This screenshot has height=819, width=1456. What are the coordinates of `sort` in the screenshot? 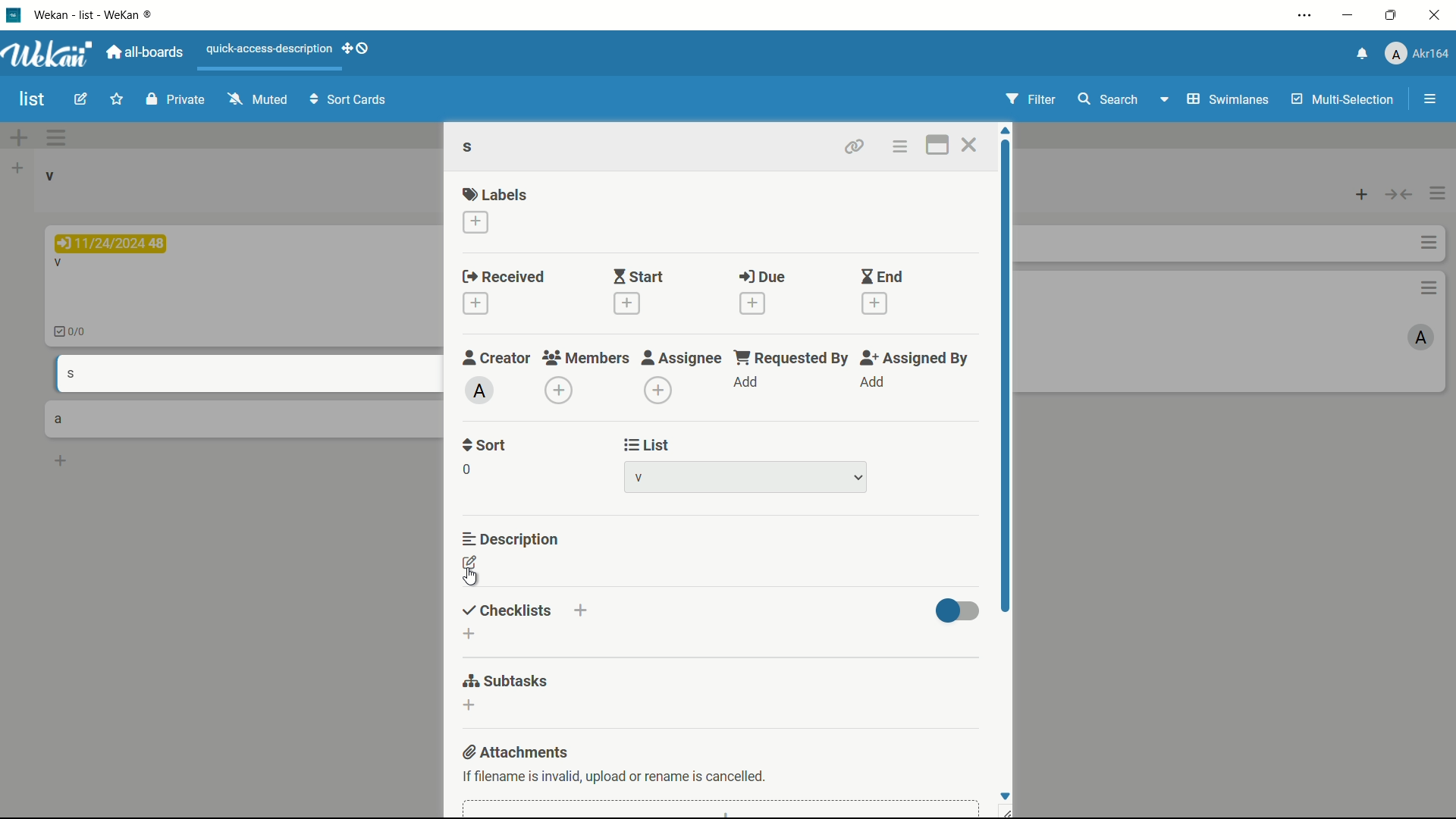 It's located at (485, 447).